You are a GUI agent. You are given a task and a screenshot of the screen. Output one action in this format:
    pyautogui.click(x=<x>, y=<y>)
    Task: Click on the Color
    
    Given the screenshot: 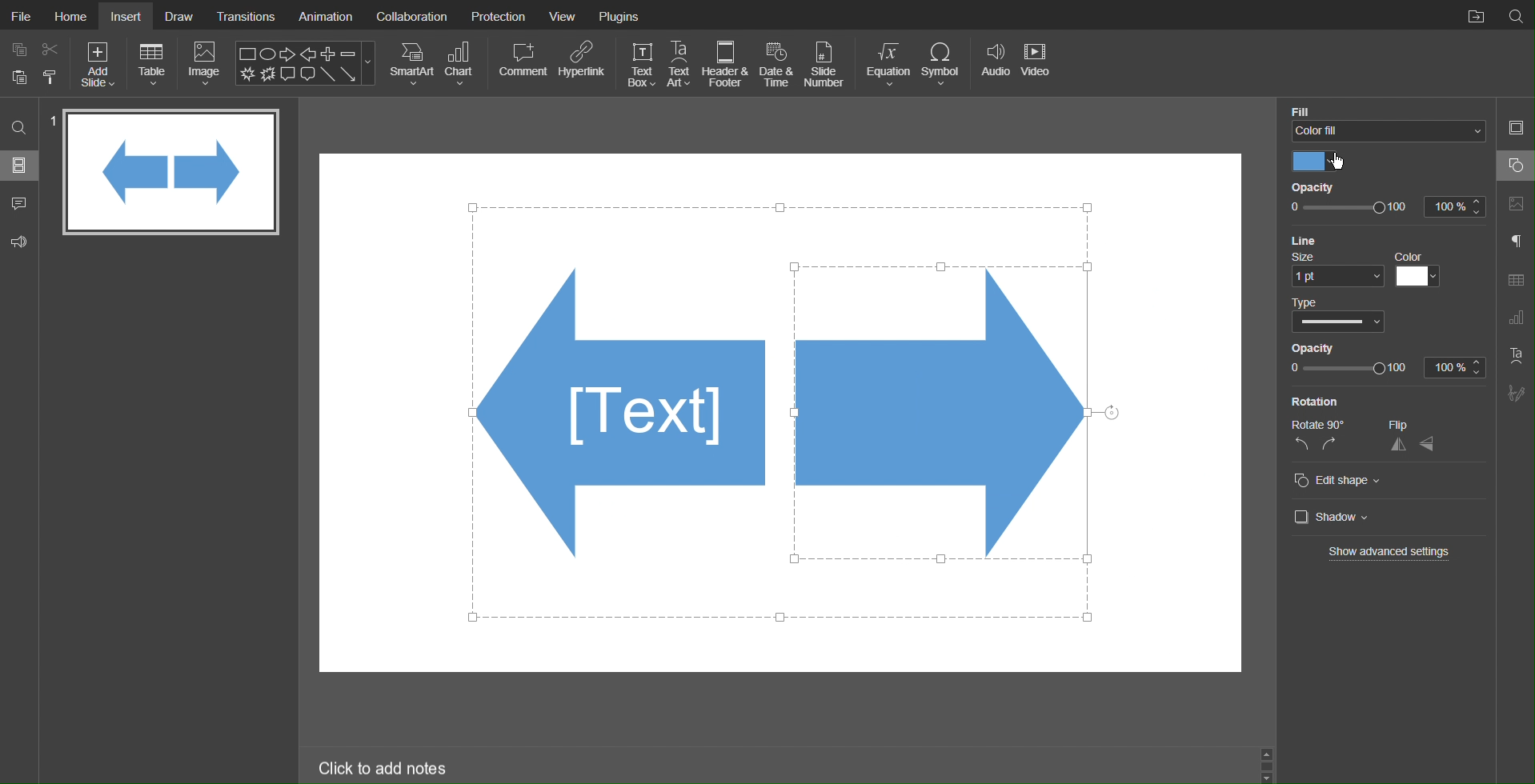 What is the action you would take?
    pyautogui.click(x=1322, y=160)
    